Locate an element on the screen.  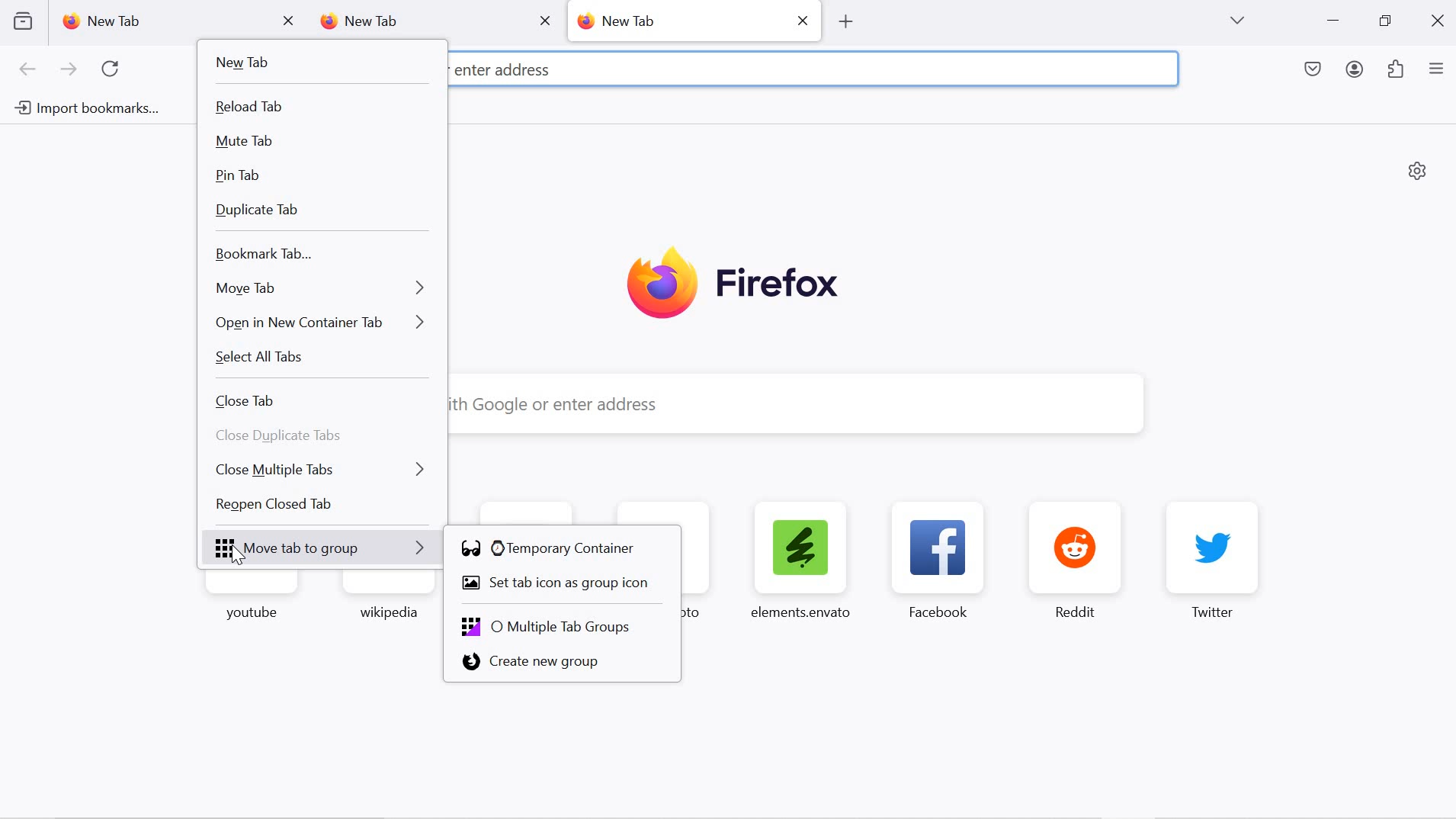
facebook favorite is located at coordinates (943, 560).